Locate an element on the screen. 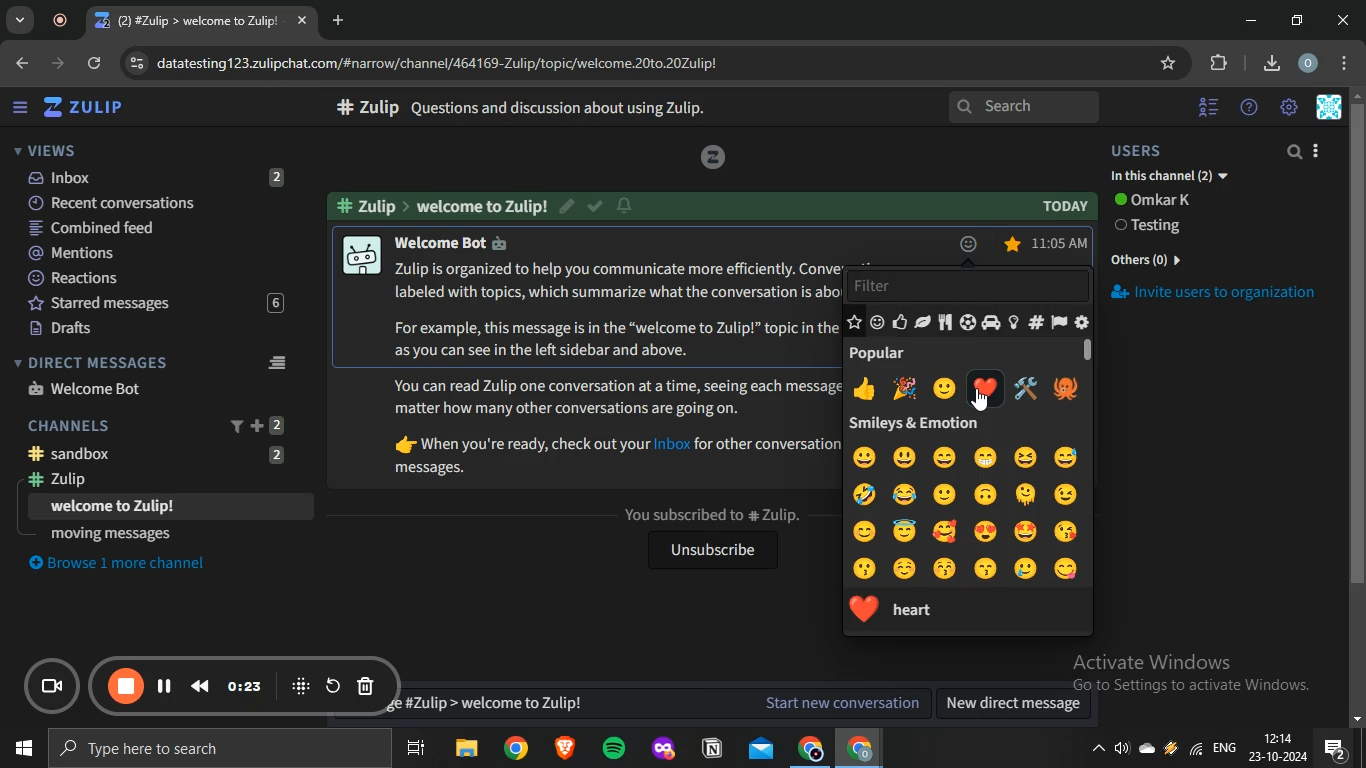 This screenshot has width=1366, height=768. others is located at coordinates (1150, 257).